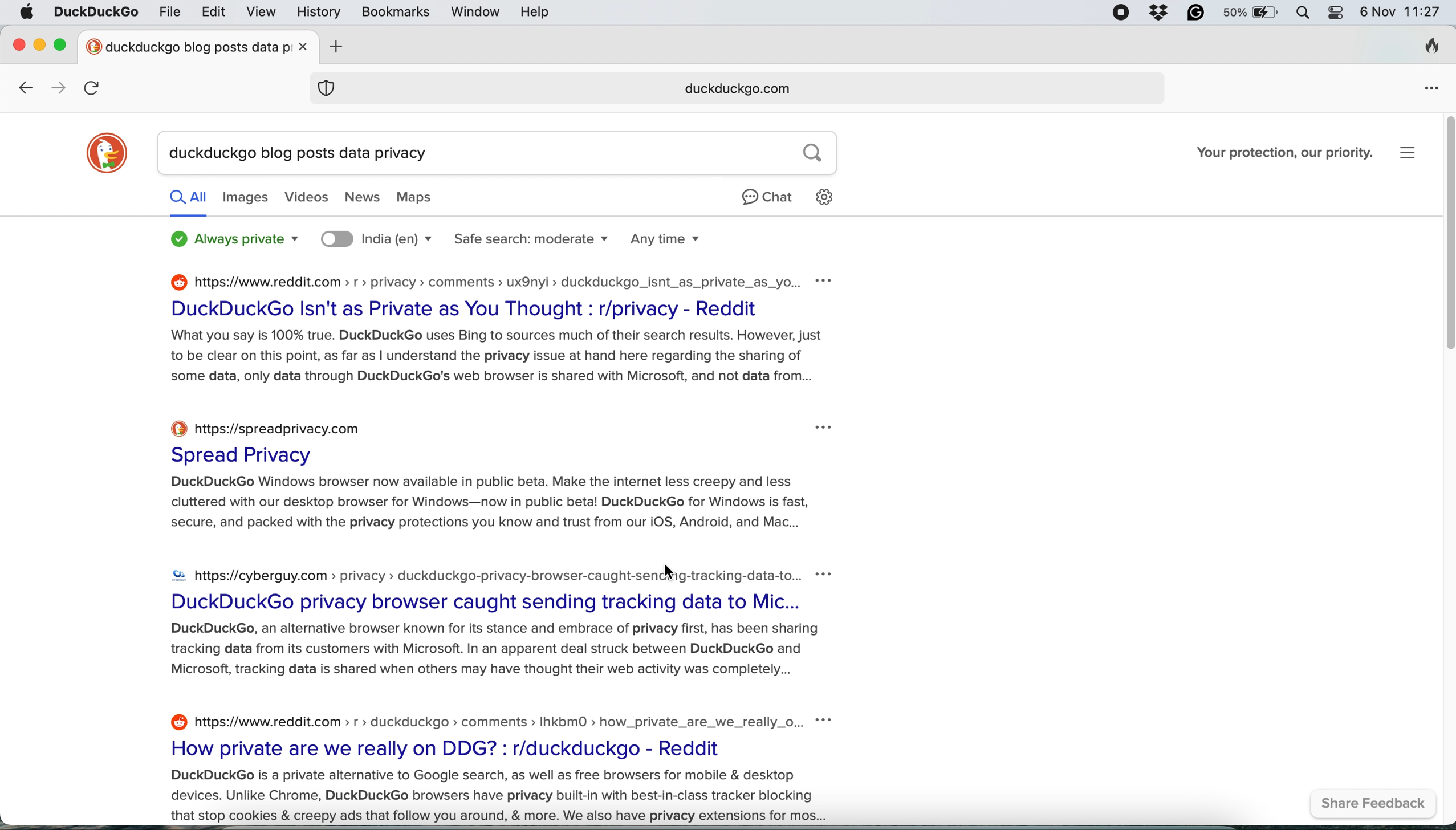  What do you see at coordinates (303, 198) in the screenshot?
I see `videos` at bounding box center [303, 198].